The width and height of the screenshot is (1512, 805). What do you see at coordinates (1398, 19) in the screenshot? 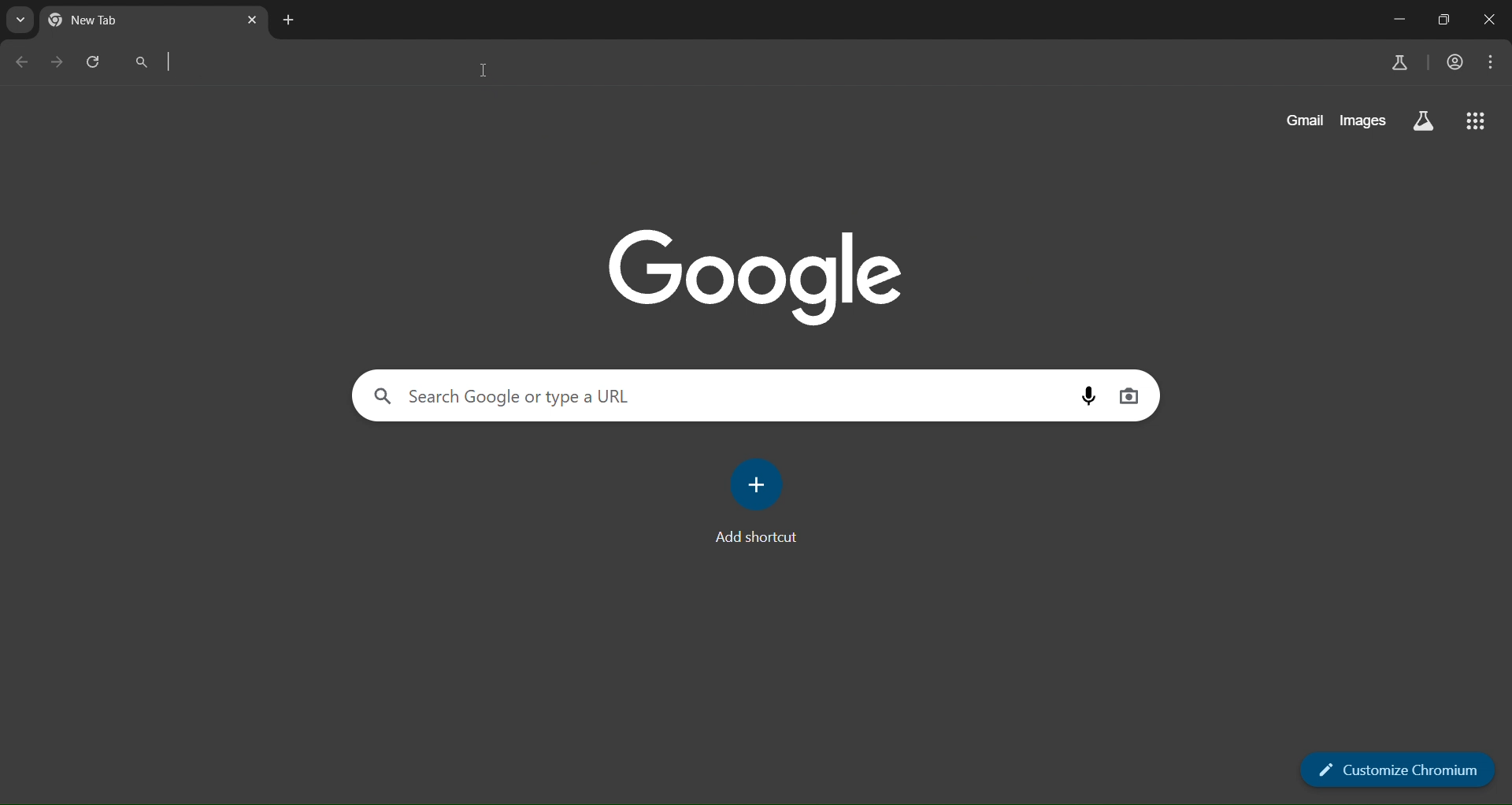
I see `minimize` at bounding box center [1398, 19].